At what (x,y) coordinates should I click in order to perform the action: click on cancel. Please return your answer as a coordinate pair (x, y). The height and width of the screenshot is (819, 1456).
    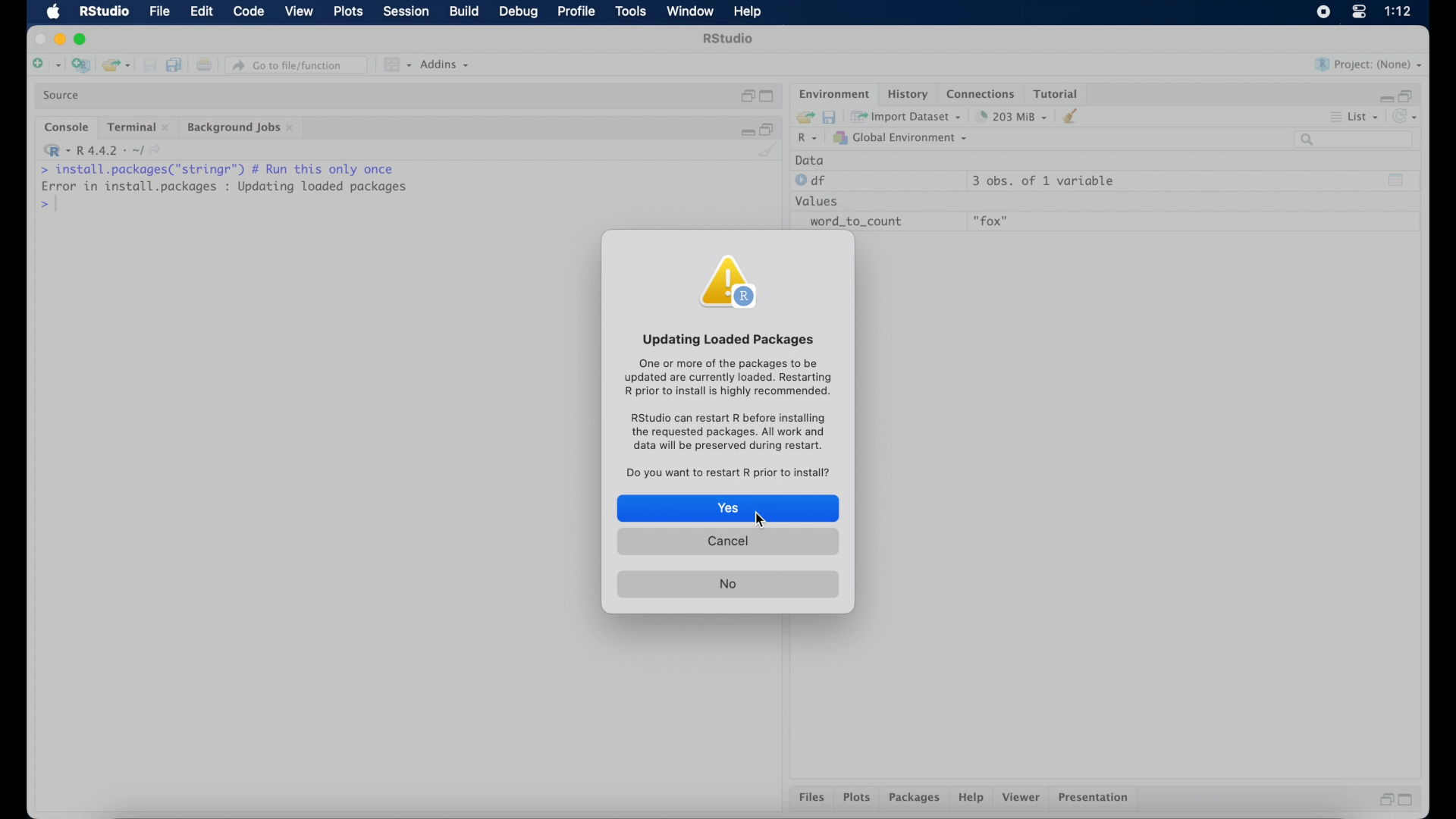
    Looking at the image, I should click on (728, 544).